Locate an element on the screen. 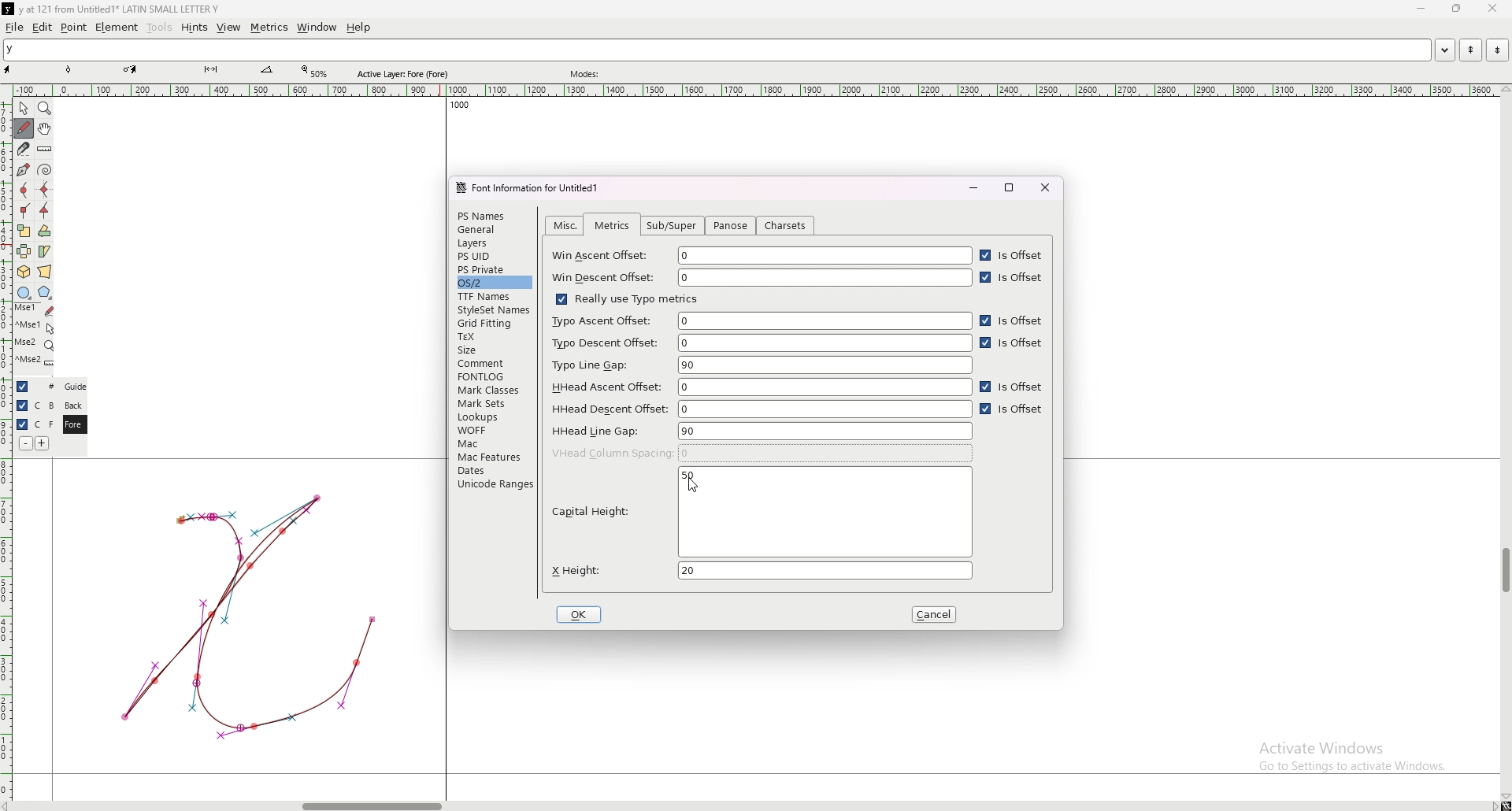 This screenshot has height=811, width=1512. charsets is located at coordinates (786, 226).